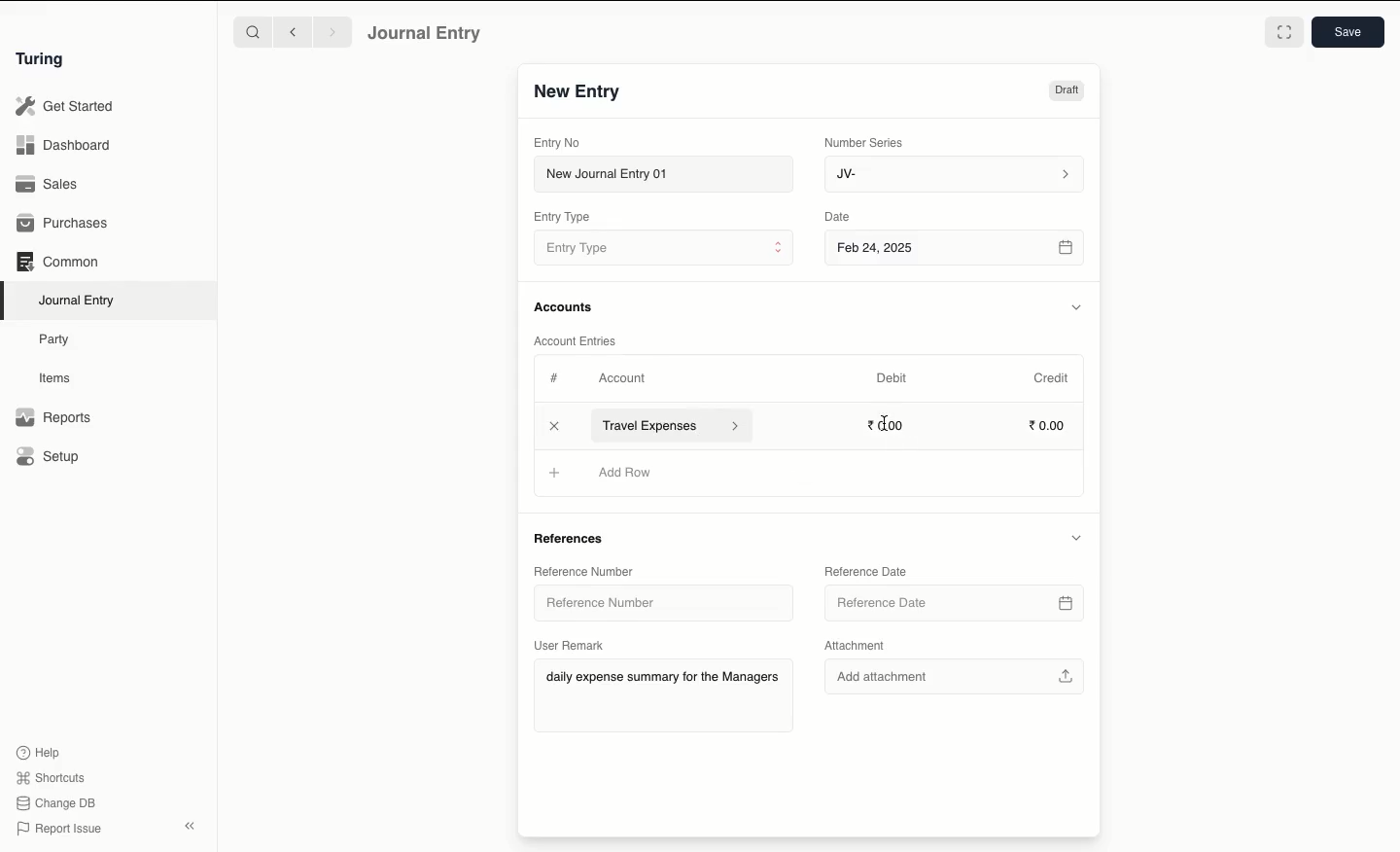  What do you see at coordinates (61, 830) in the screenshot?
I see `Report Issue` at bounding box center [61, 830].